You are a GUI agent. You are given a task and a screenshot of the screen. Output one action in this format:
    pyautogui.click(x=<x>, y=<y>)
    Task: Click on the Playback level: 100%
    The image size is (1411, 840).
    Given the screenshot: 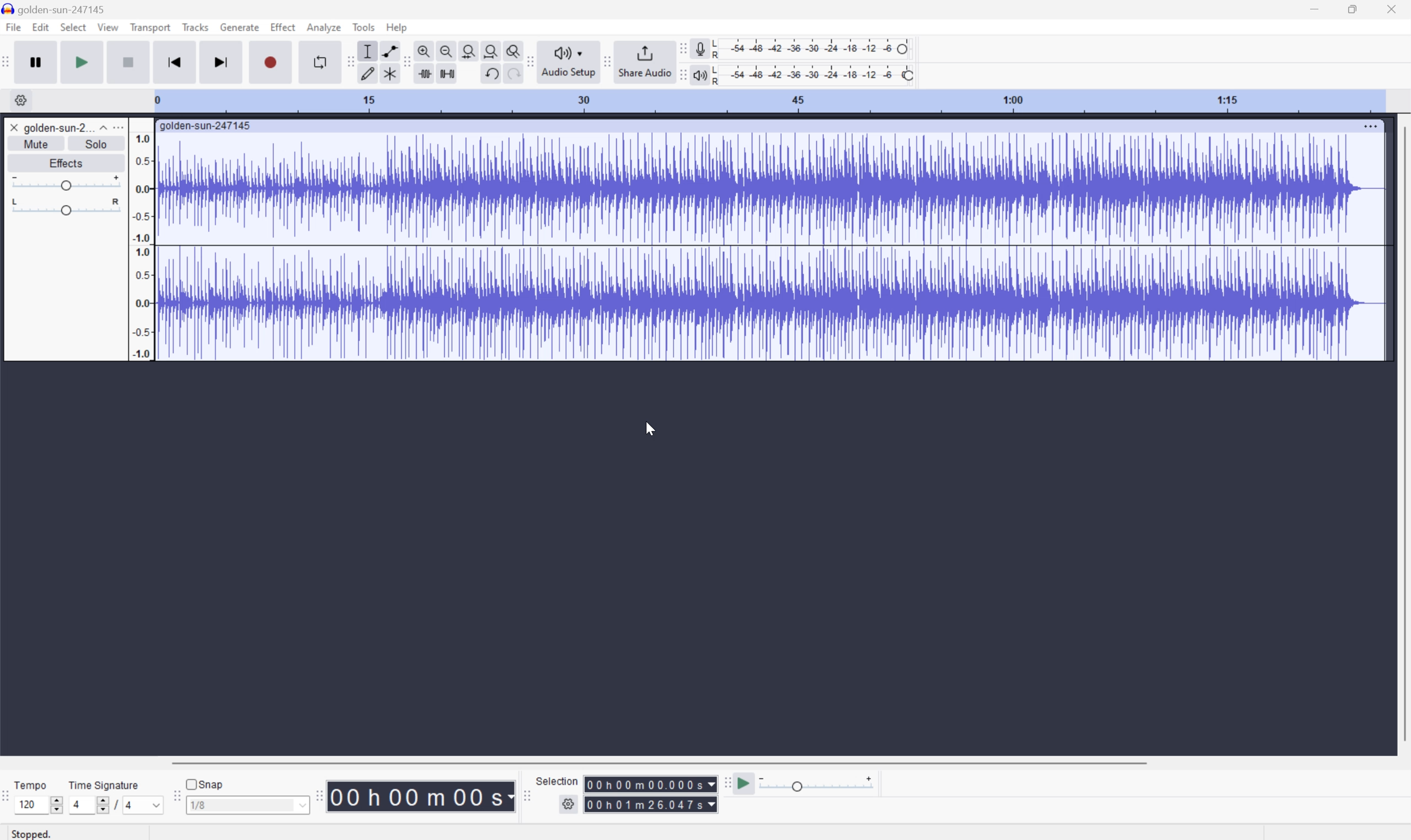 What is the action you would take?
    pyautogui.click(x=812, y=74)
    